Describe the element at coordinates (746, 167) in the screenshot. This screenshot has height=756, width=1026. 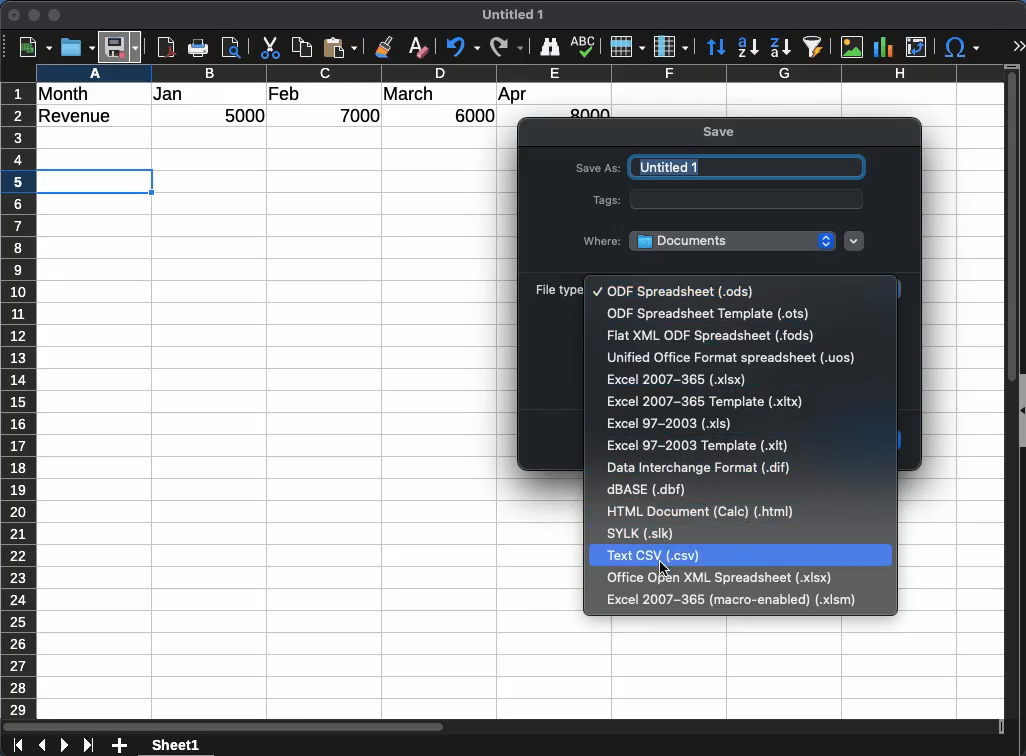
I see `untitled 1` at that location.